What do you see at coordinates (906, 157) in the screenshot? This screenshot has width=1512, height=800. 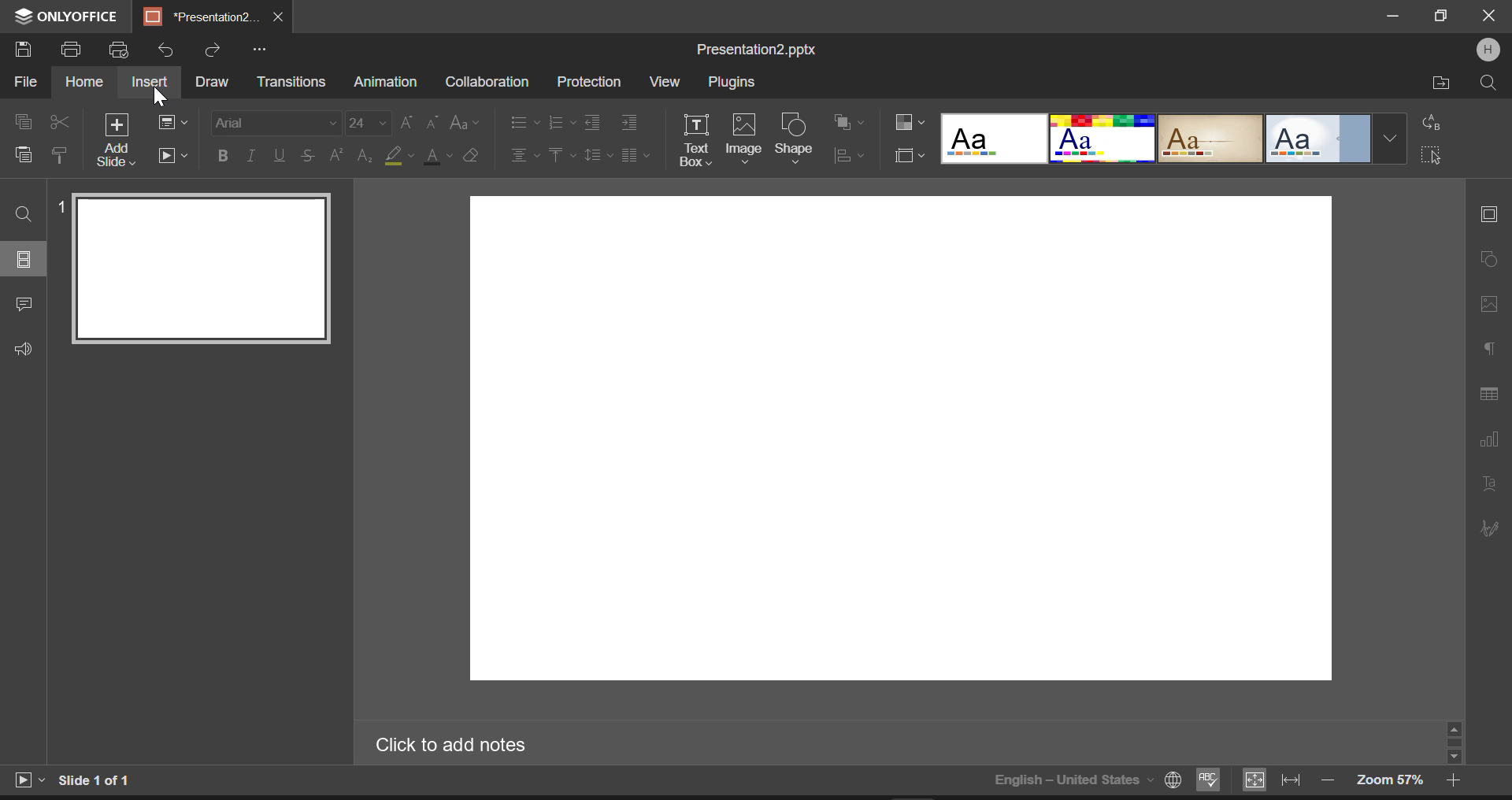 I see `Select Slide Size` at bounding box center [906, 157].